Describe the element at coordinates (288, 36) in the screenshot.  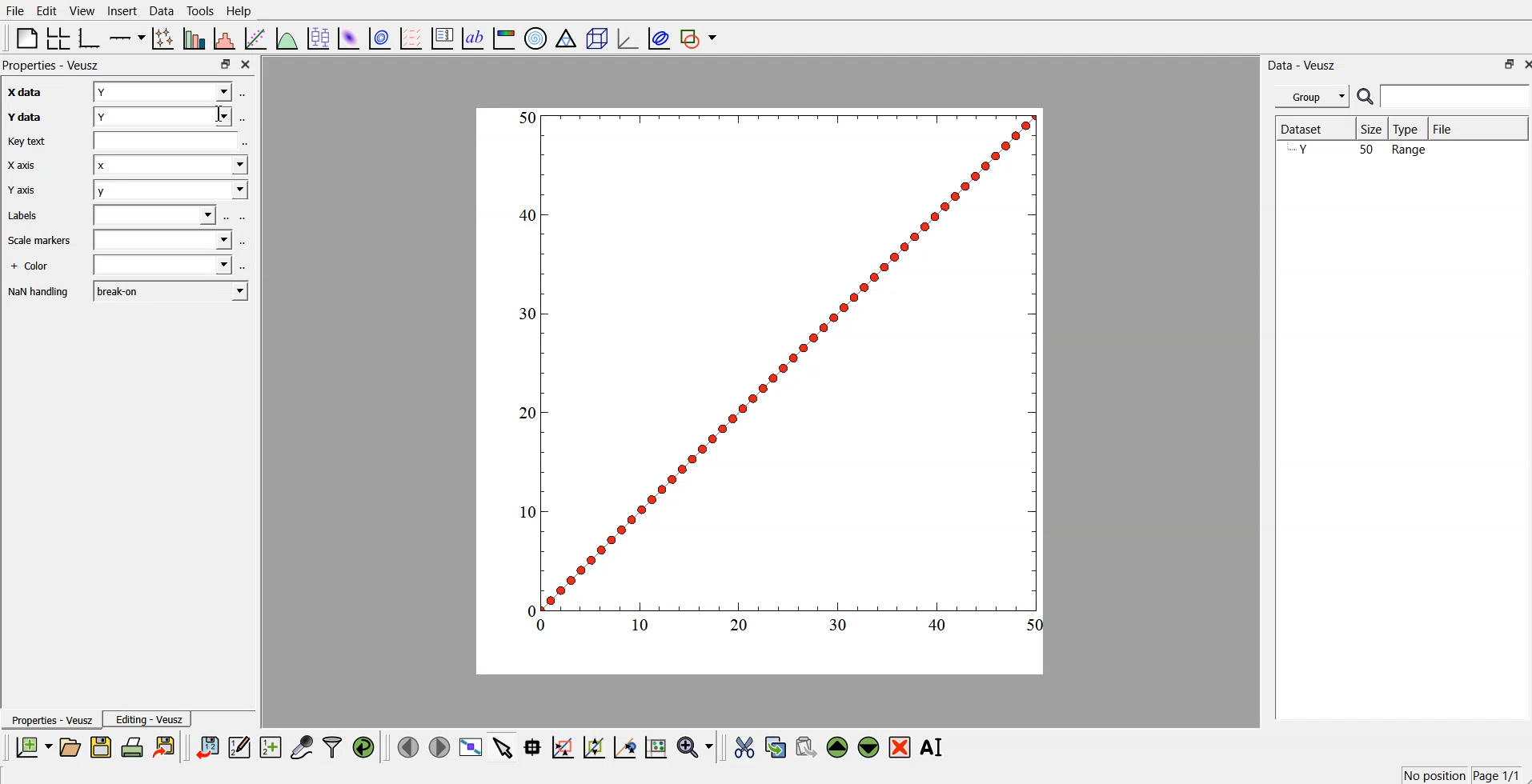
I see `plot a function` at that location.